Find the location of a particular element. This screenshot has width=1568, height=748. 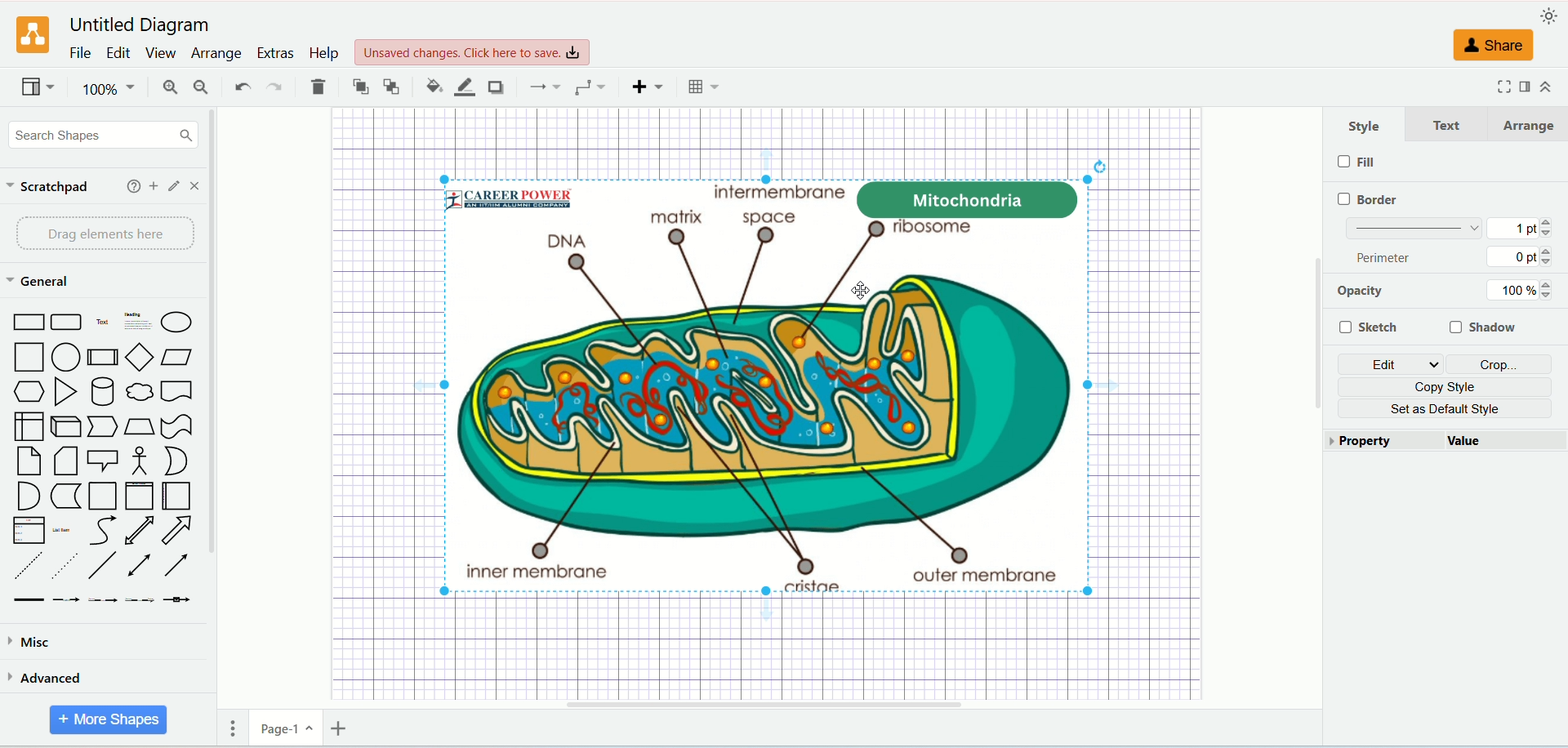

Untitled Diagram is located at coordinates (139, 26).